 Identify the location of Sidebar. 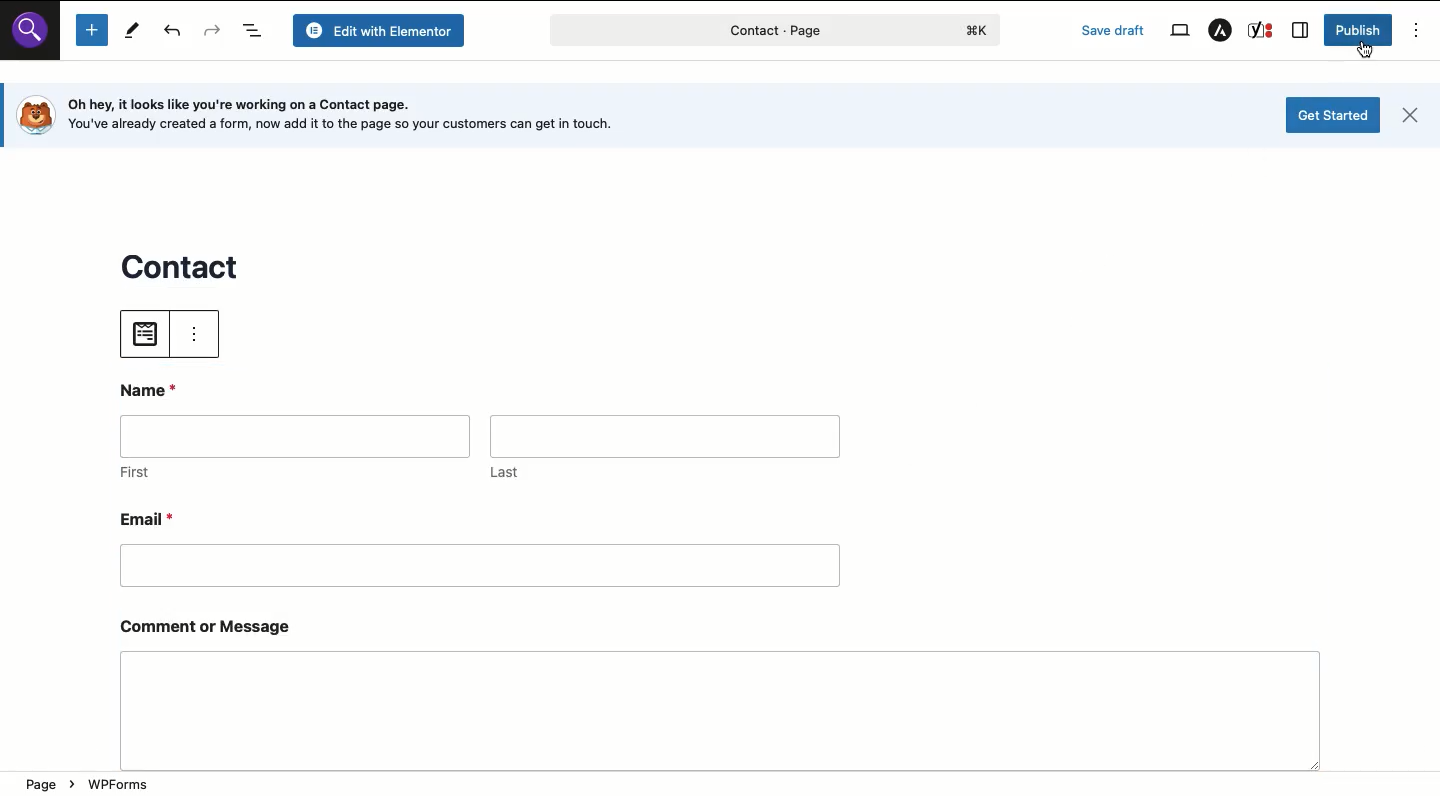
(1301, 31).